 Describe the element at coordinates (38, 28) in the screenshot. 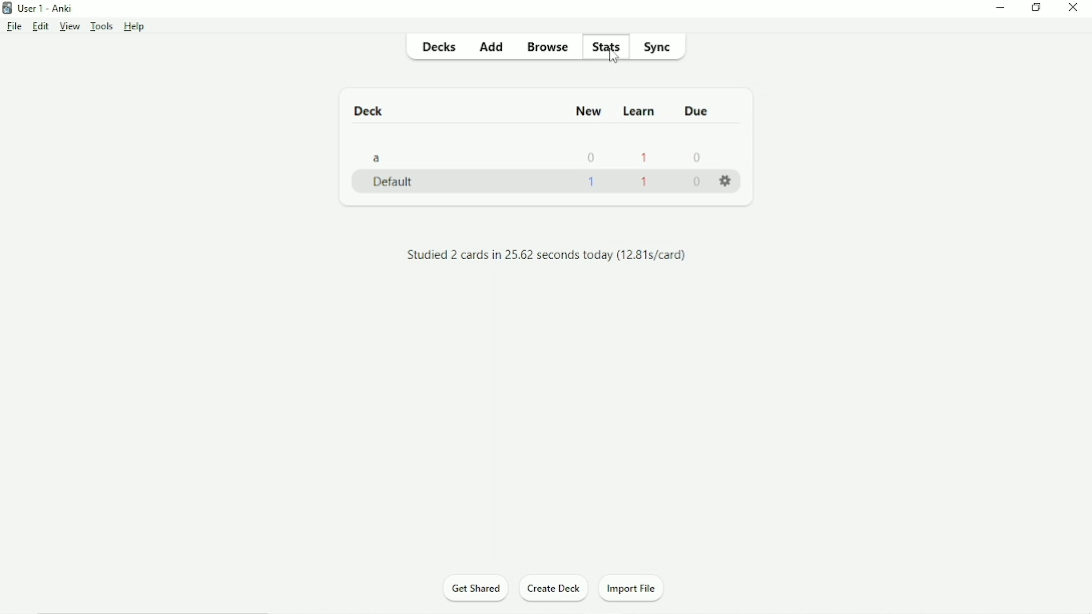

I see `Edit` at that location.